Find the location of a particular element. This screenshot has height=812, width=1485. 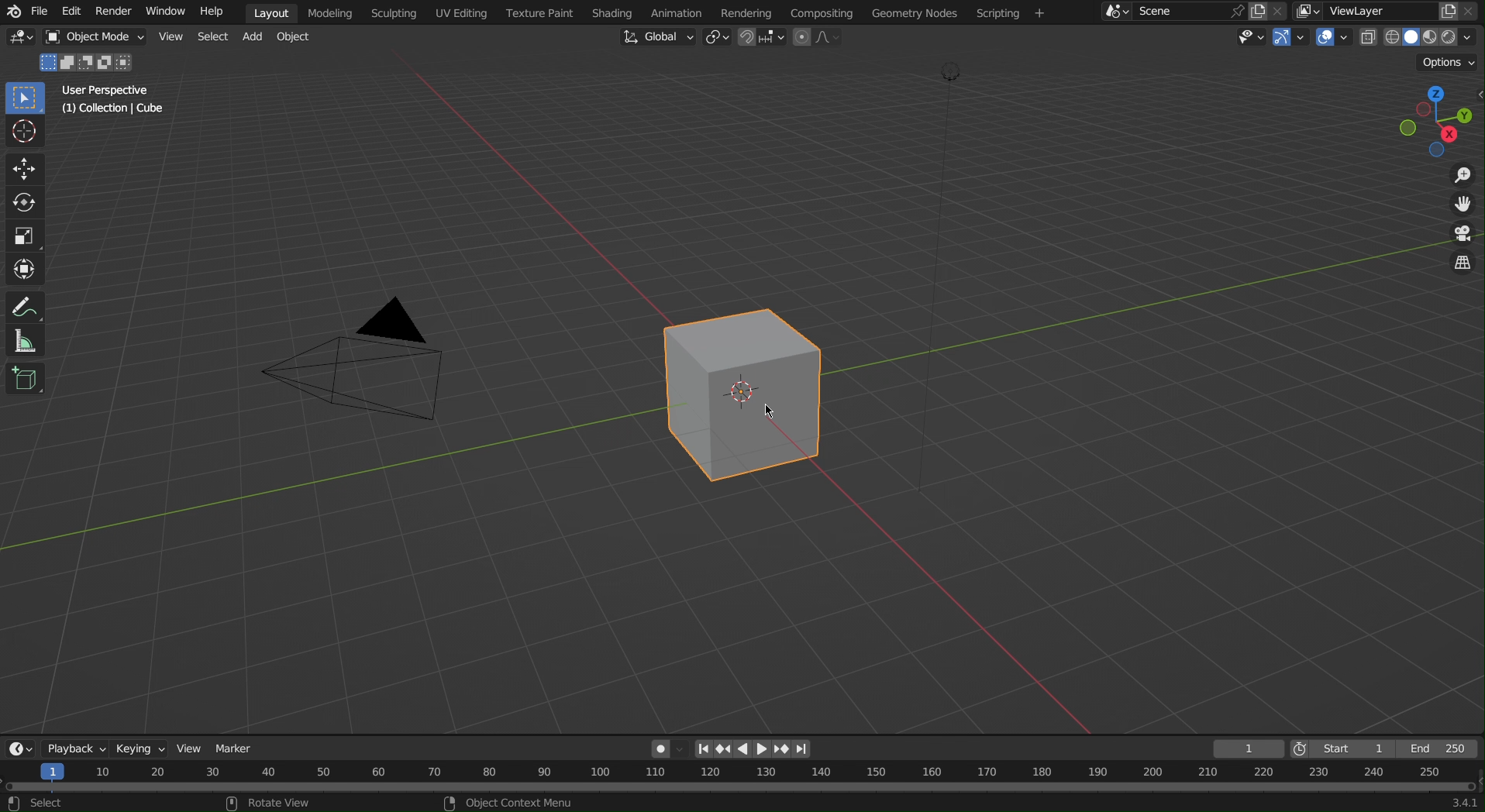

Shading is located at coordinates (614, 12).